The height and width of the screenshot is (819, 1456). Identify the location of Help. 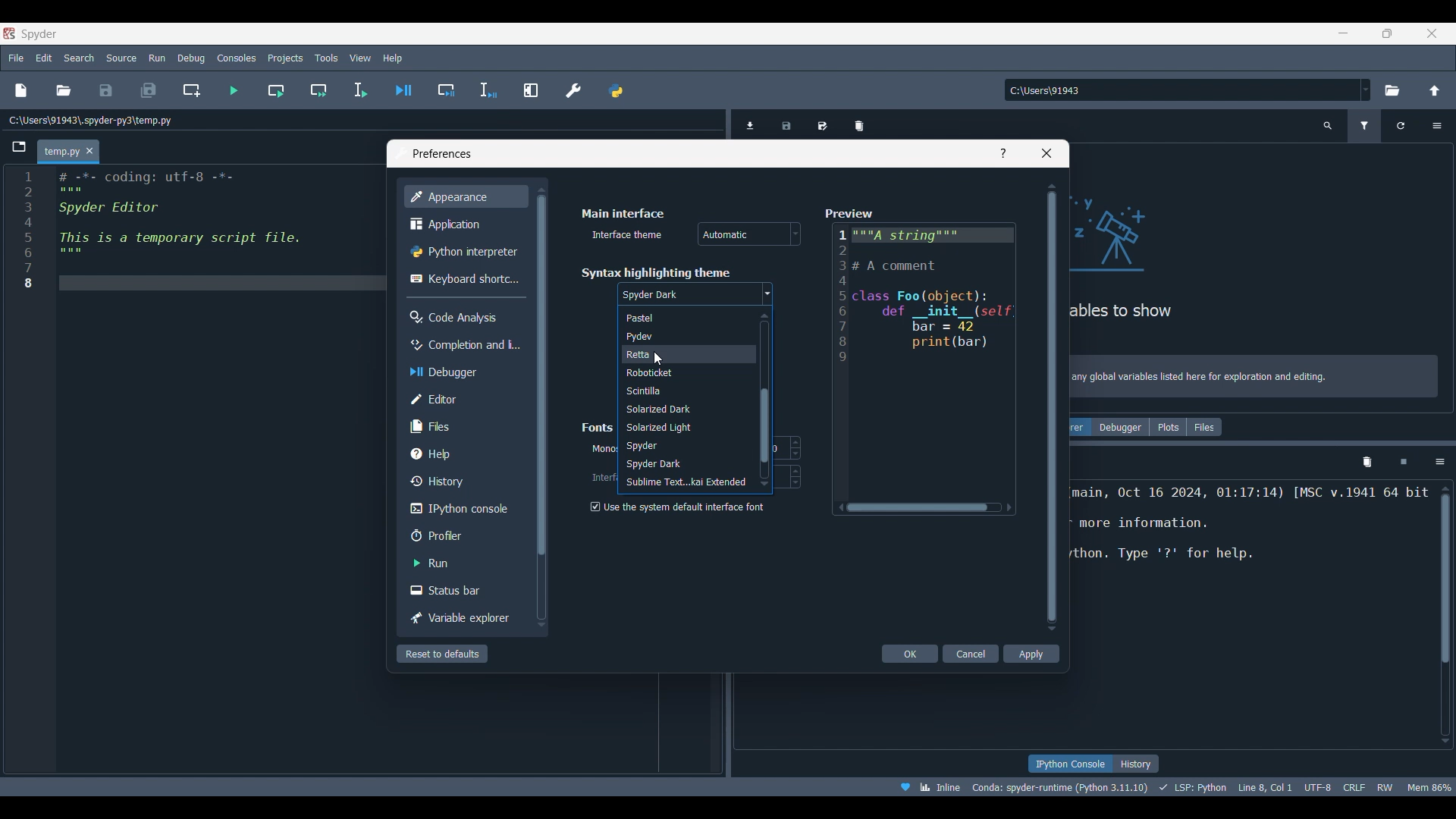
(1003, 153).